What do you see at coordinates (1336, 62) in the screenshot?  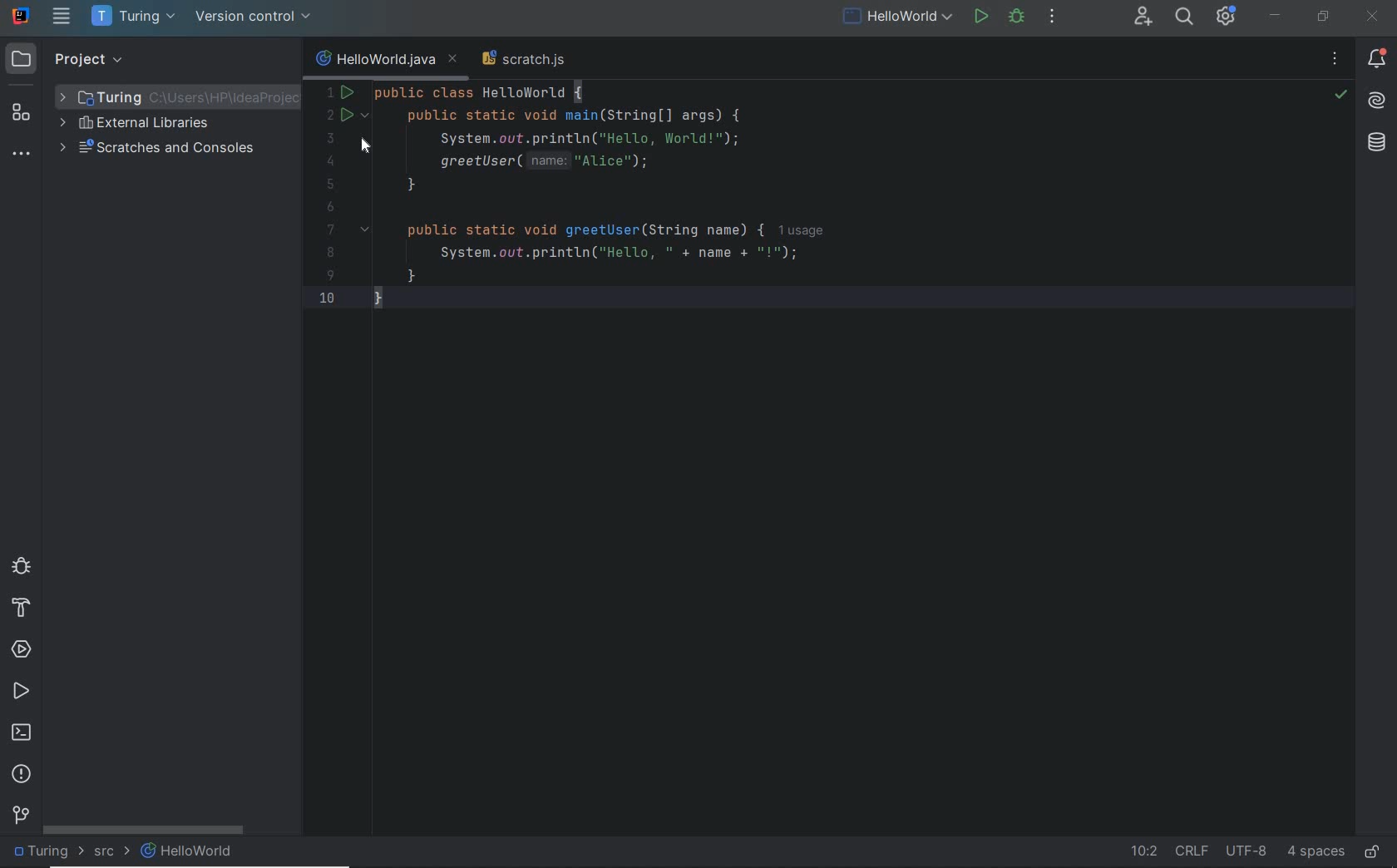 I see `recent files, tab actions` at bounding box center [1336, 62].